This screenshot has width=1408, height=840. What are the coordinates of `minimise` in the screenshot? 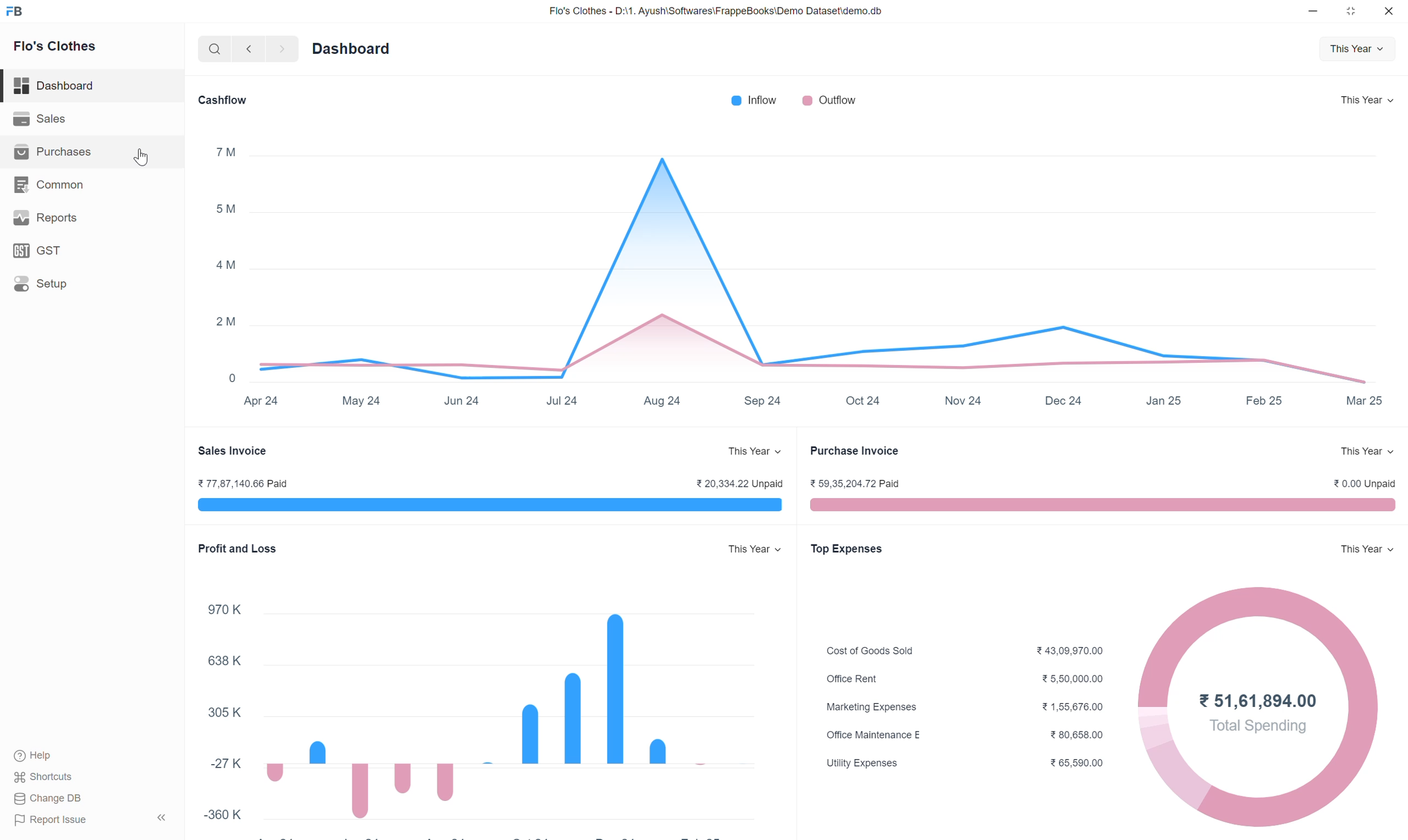 It's located at (1315, 10).